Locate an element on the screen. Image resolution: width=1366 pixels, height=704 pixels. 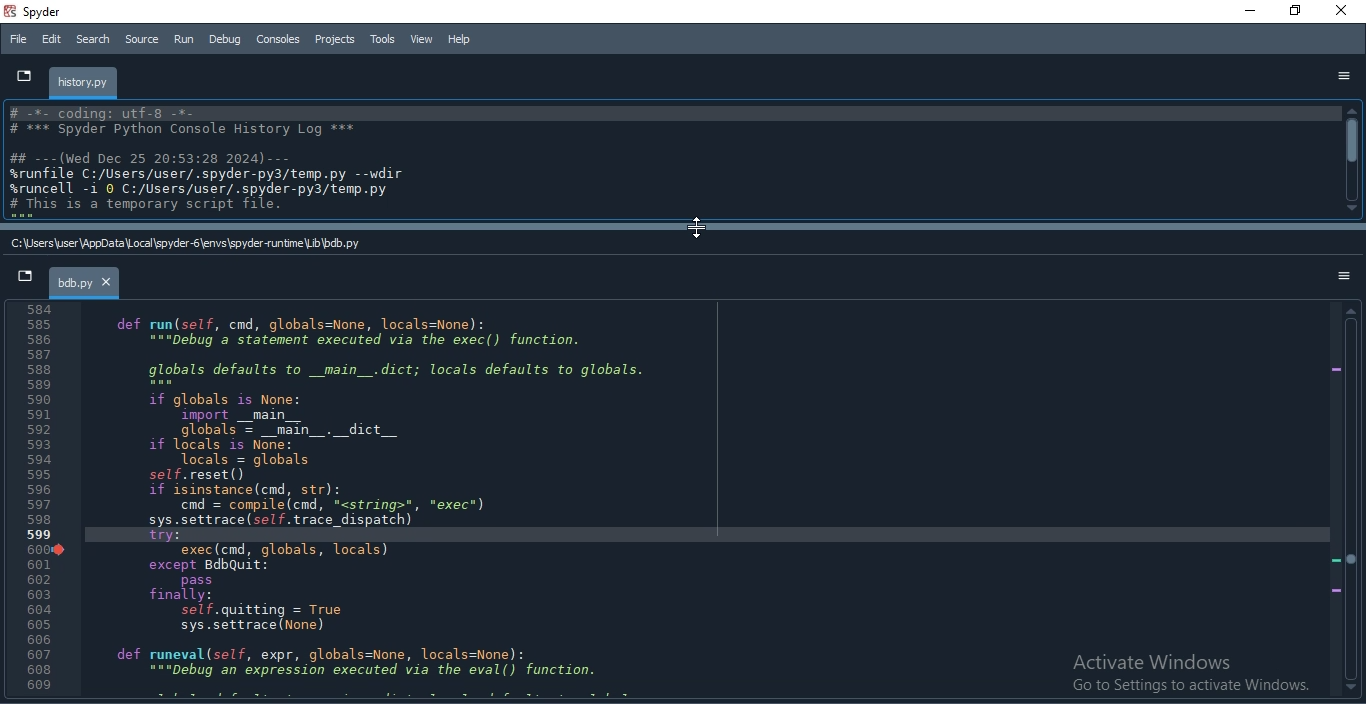
adjusted window is located at coordinates (384, 498).